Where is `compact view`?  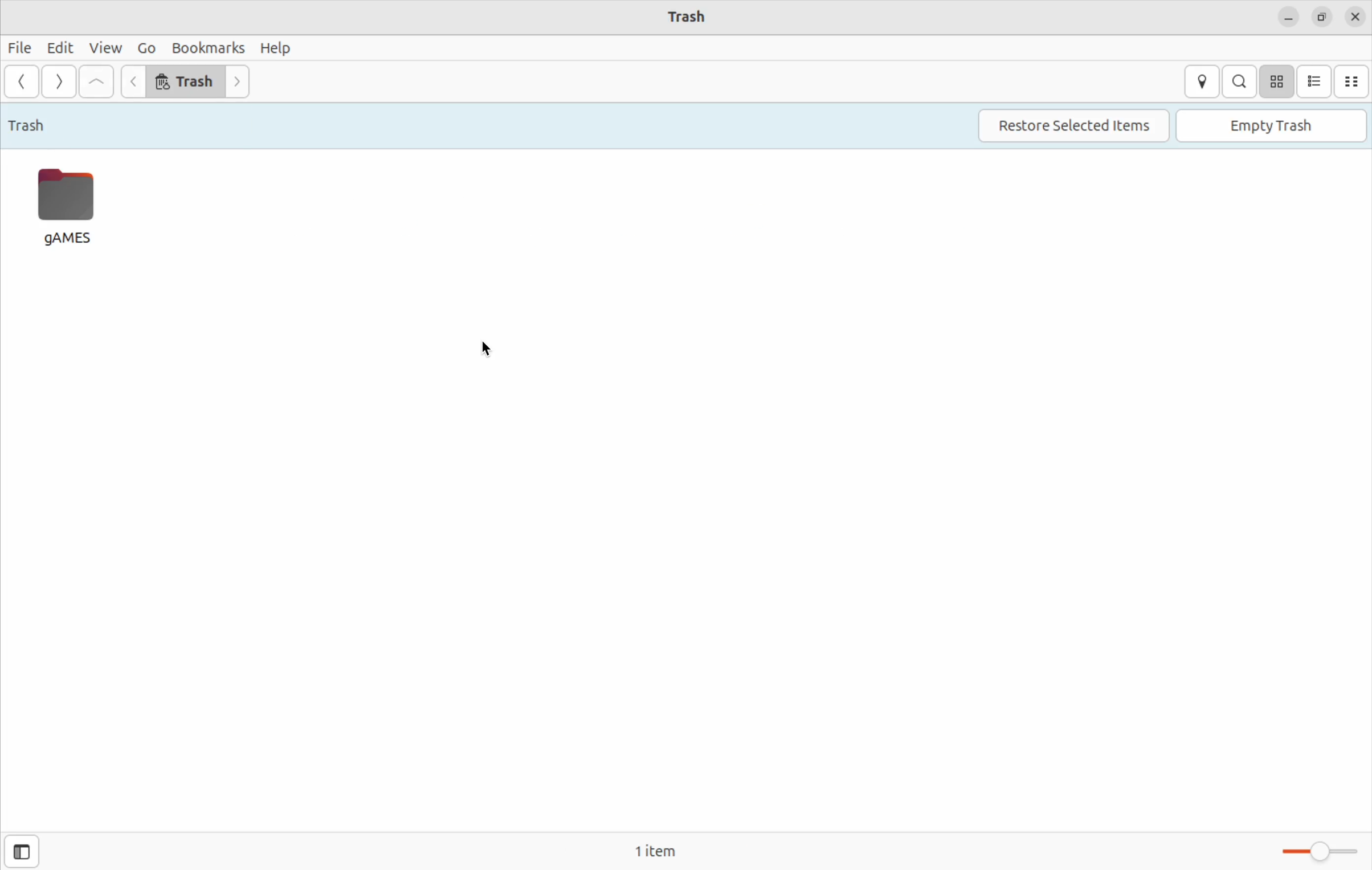
compact view is located at coordinates (1352, 80).